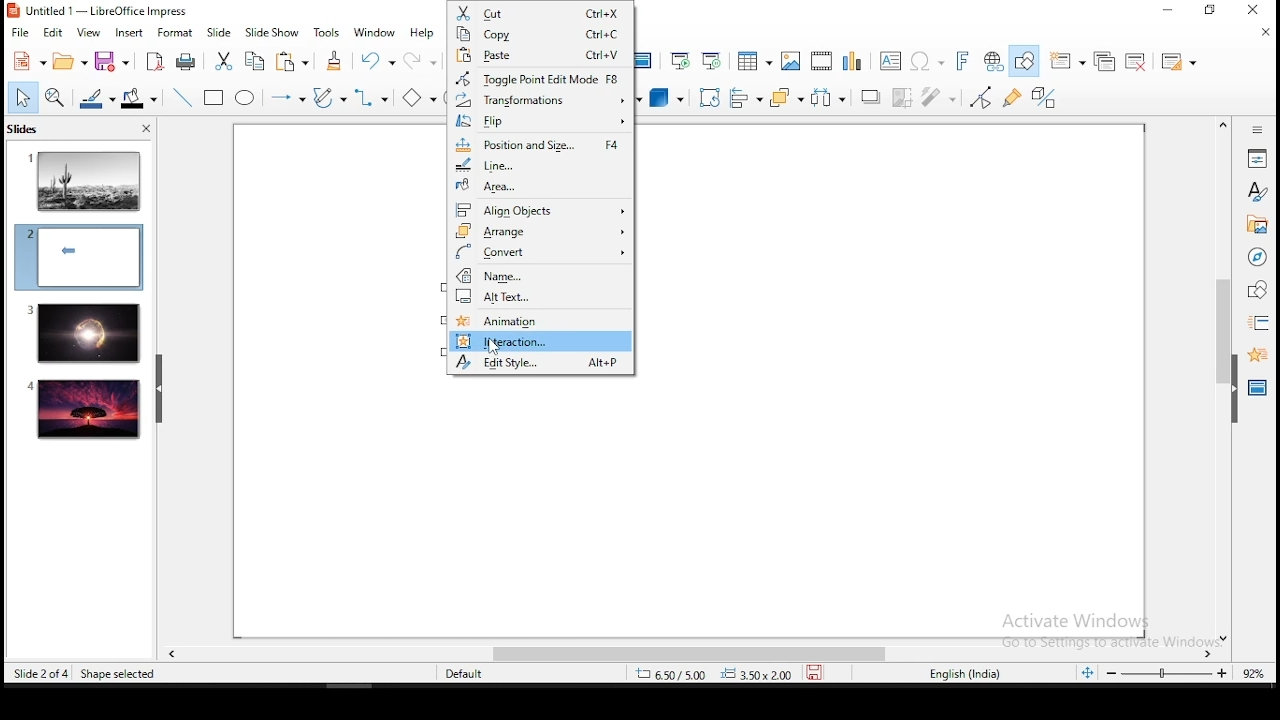 The image size is (1280, 720). I want to click on window name, so click(100, 10).